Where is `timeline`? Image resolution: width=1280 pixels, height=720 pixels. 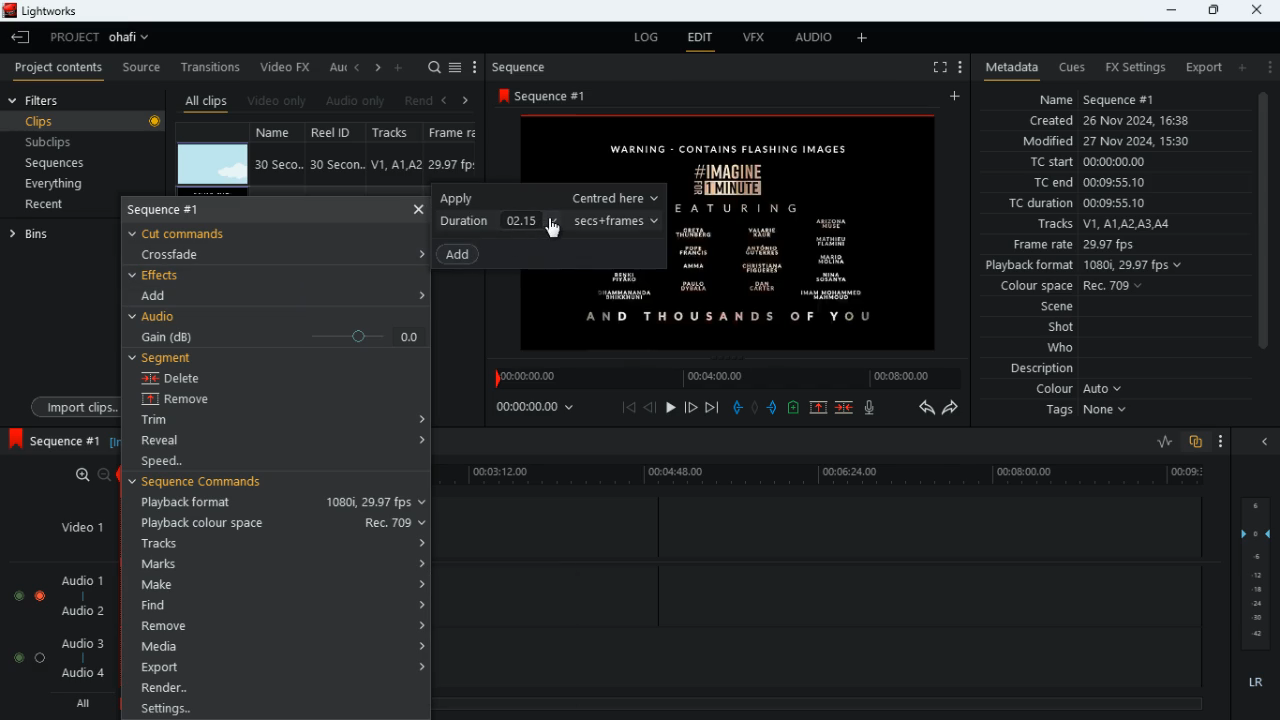
timeline is located at coordinates (819, 702).